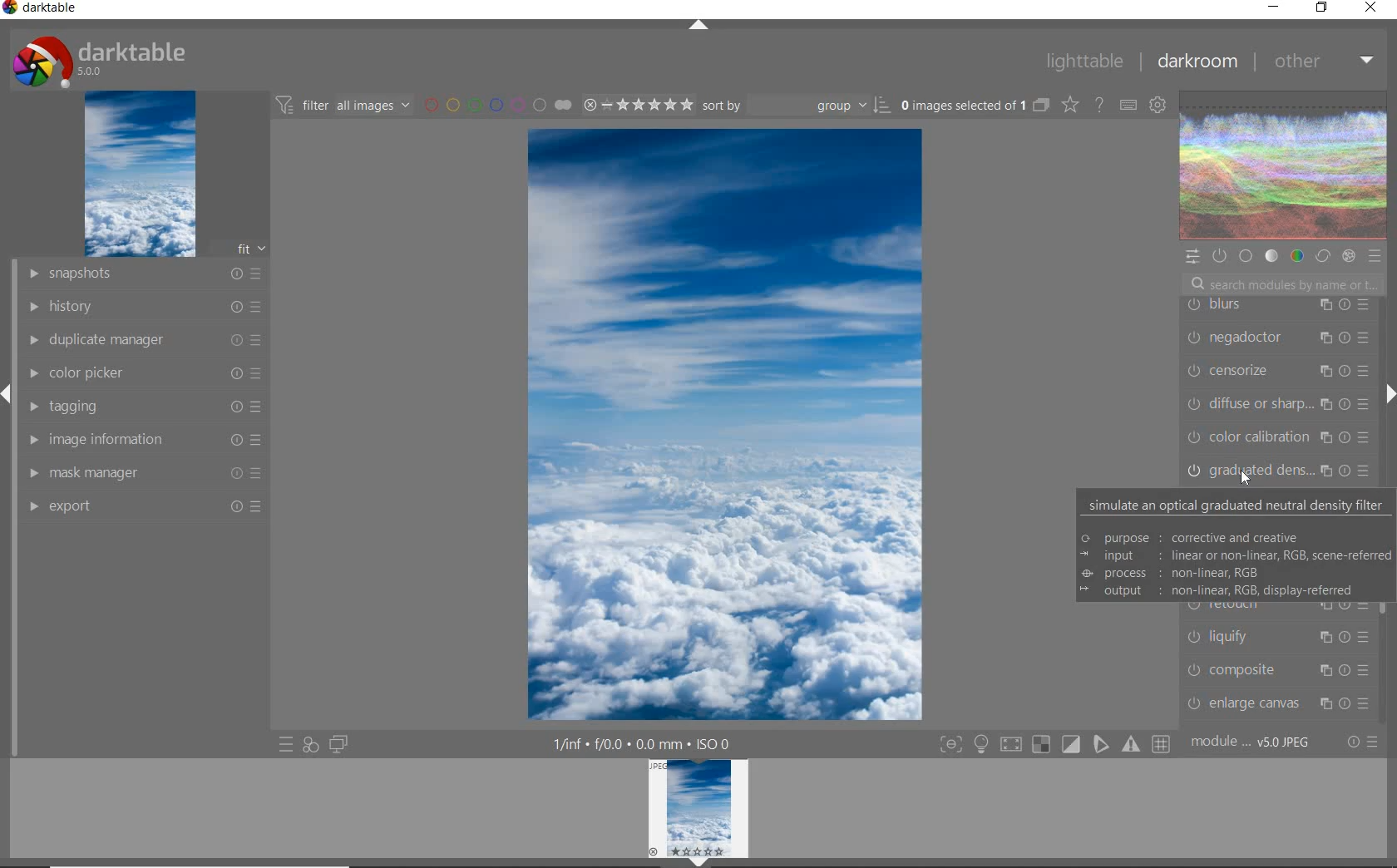 This screenshot has height=868, width=1397. Describe the element at coordinates (1069, 106) in the screenshot. I see `CHANGE TYPE OF OVERLAY` at that location.